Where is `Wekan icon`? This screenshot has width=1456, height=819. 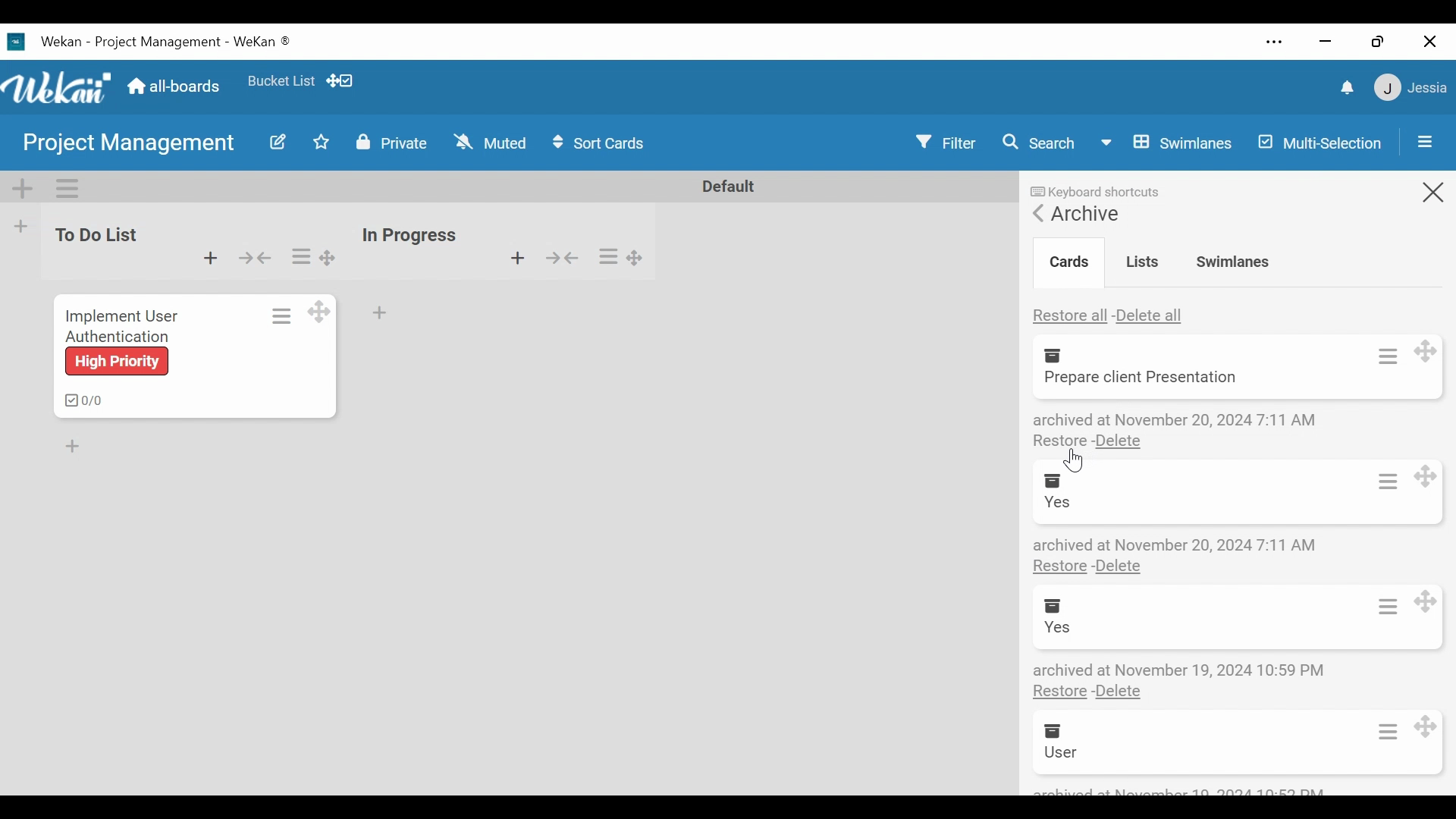
Wekan icon is located at coordinates (19, 42).